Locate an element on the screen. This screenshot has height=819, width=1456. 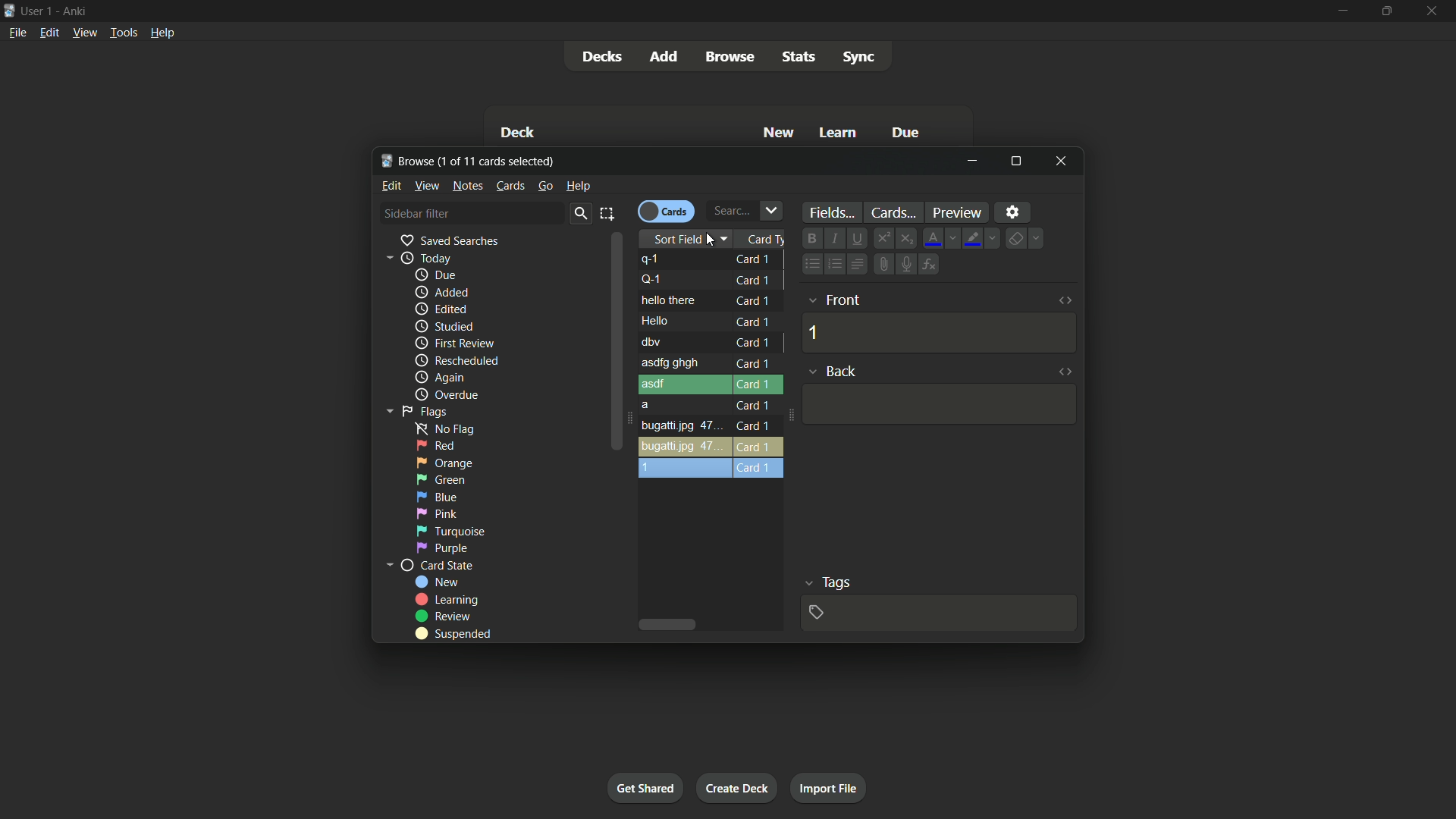
font color is located at coordinates (934, 238).